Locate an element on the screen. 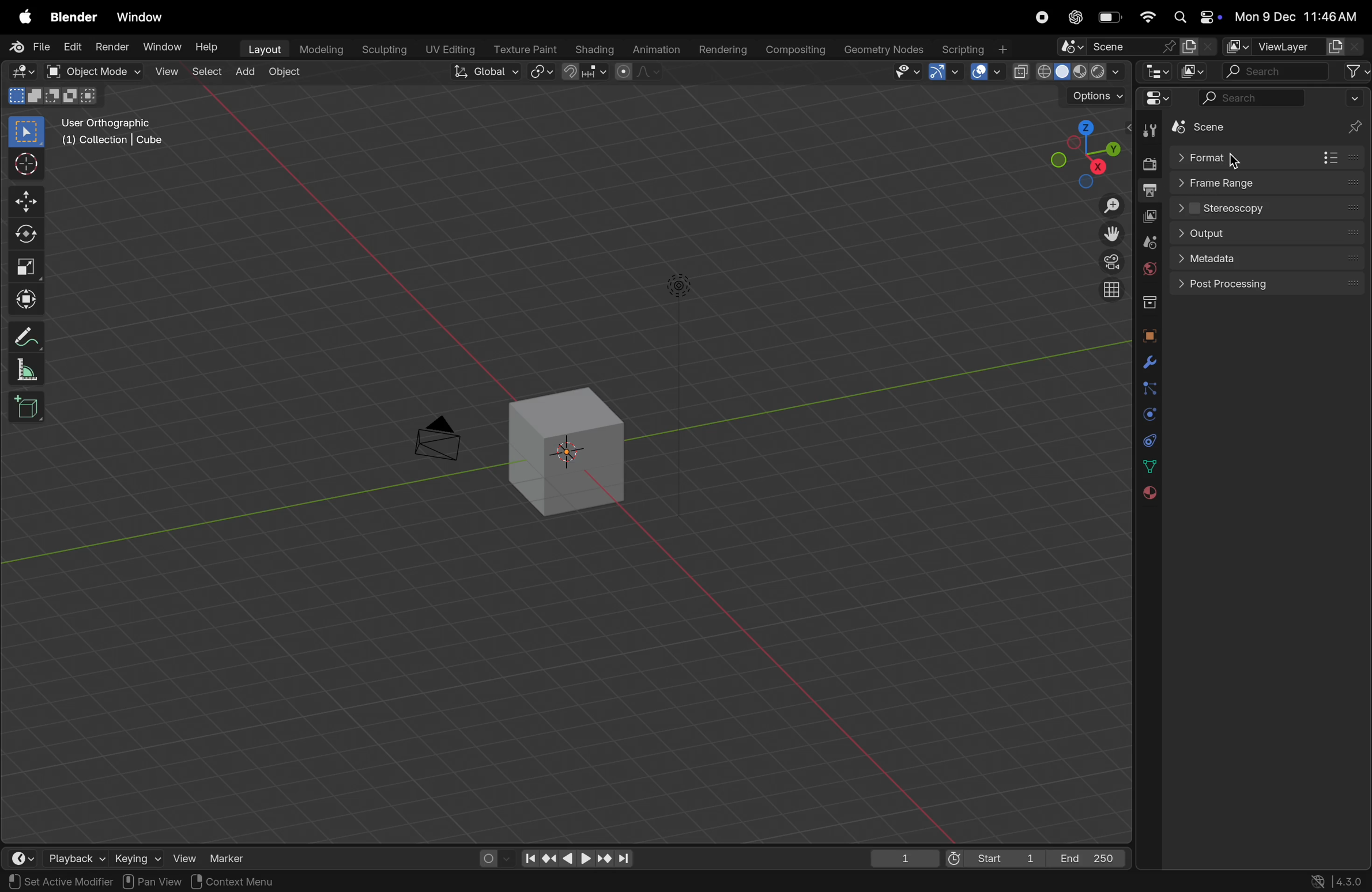 This screenshot has width=1372, height=892. particles is located at coordinates (1148, 387).